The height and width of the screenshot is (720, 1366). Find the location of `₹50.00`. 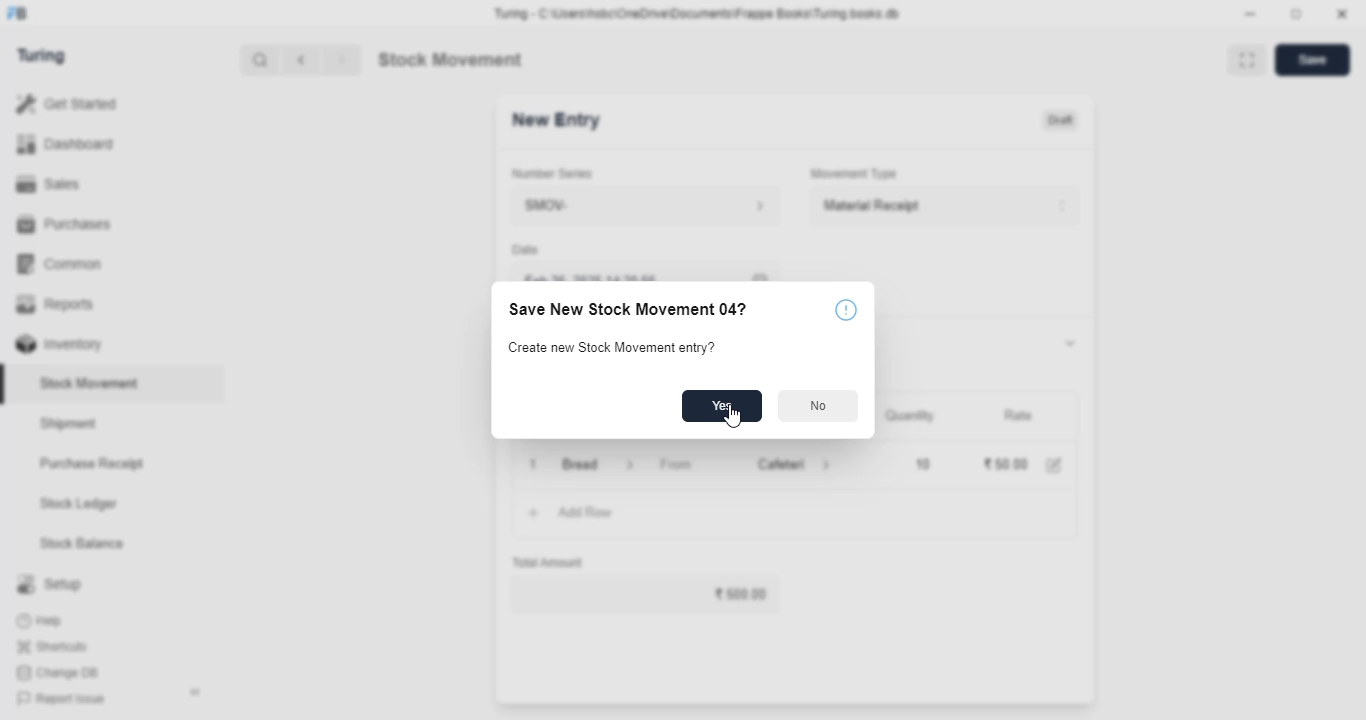

₹50.00 is located at coordinates (647, 594).